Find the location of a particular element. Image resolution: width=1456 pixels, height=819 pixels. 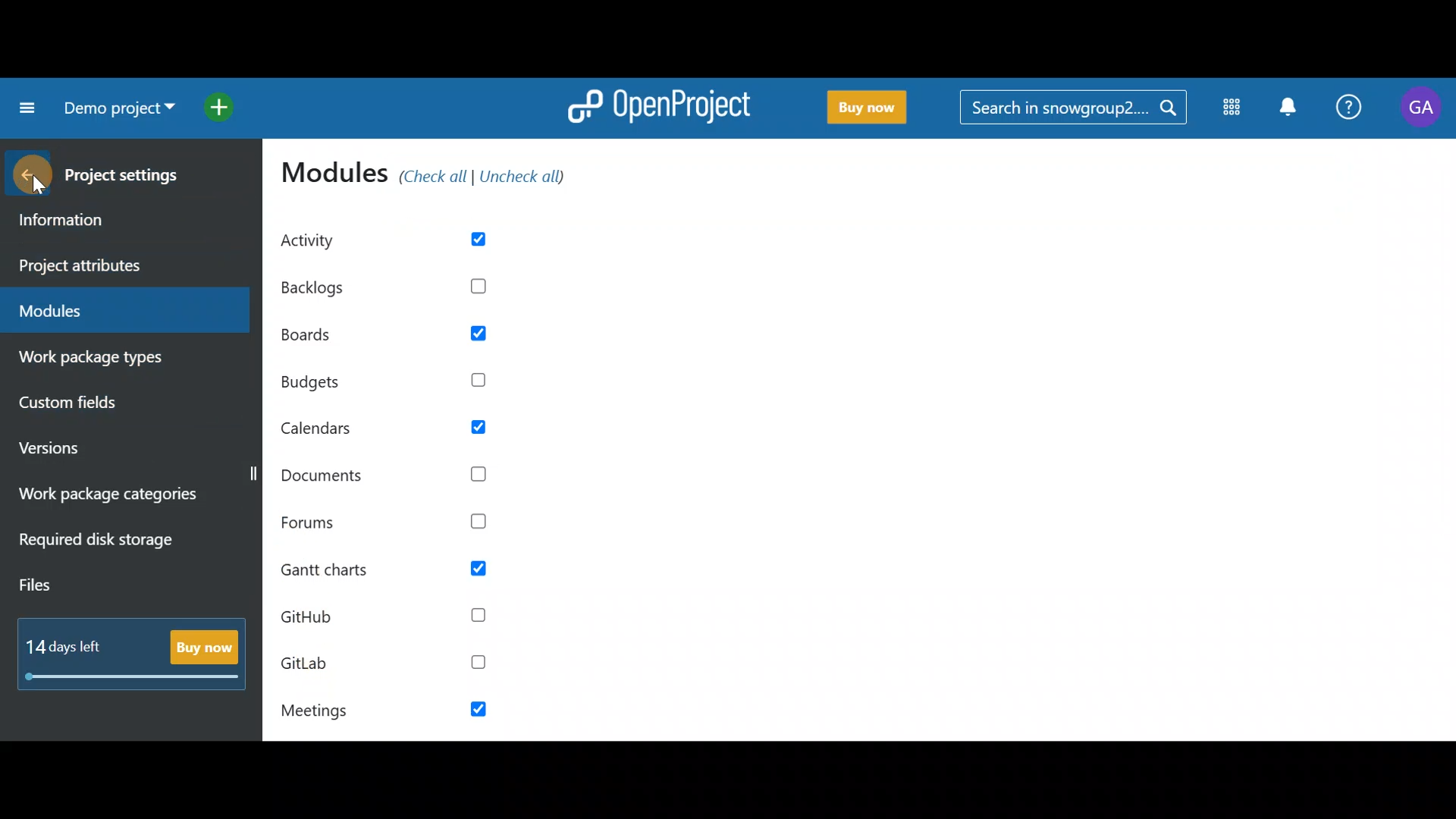

Forums is located at coordinates (391, 525).